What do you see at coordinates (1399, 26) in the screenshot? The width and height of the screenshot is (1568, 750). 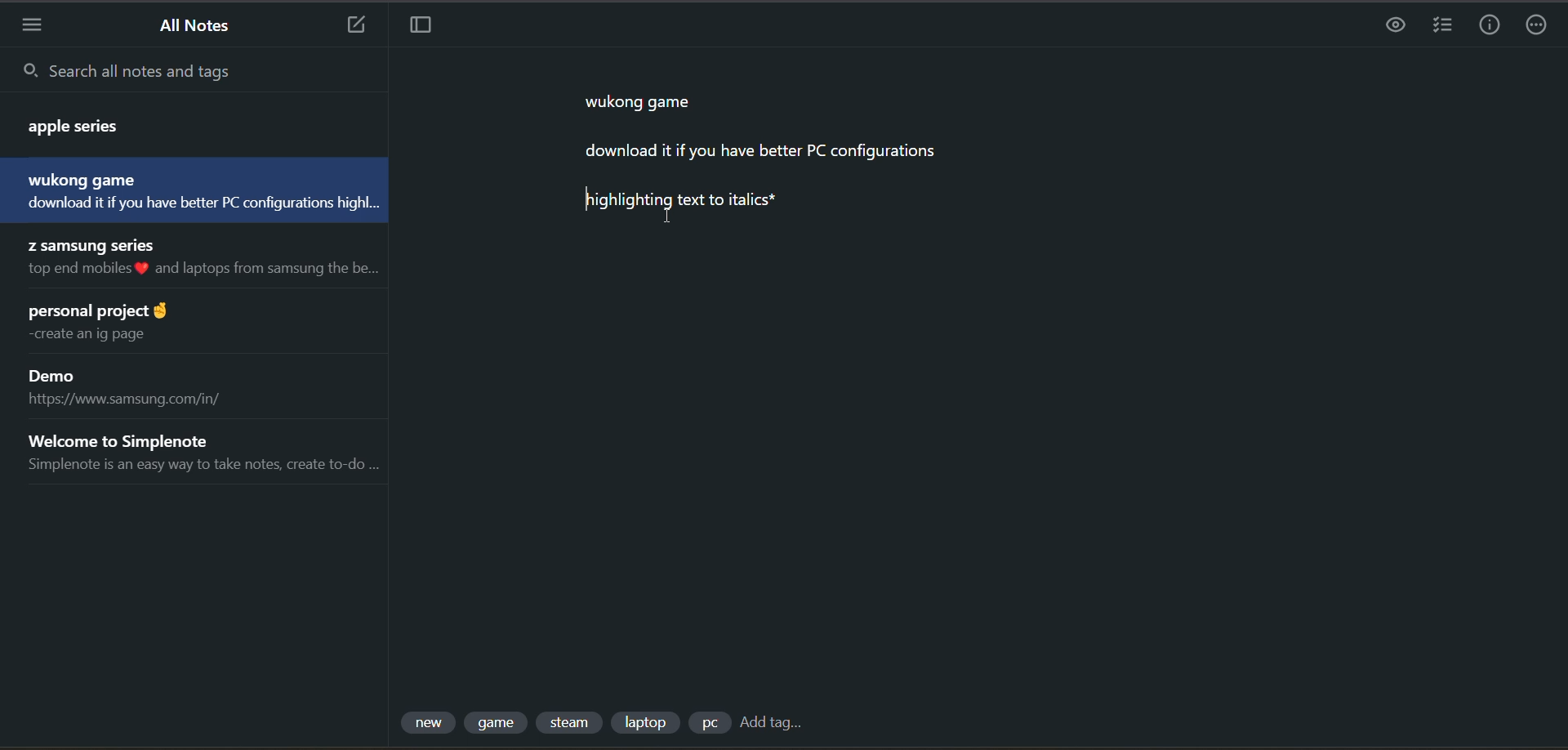 I see `task preview` at bounding box center [1399, 26].